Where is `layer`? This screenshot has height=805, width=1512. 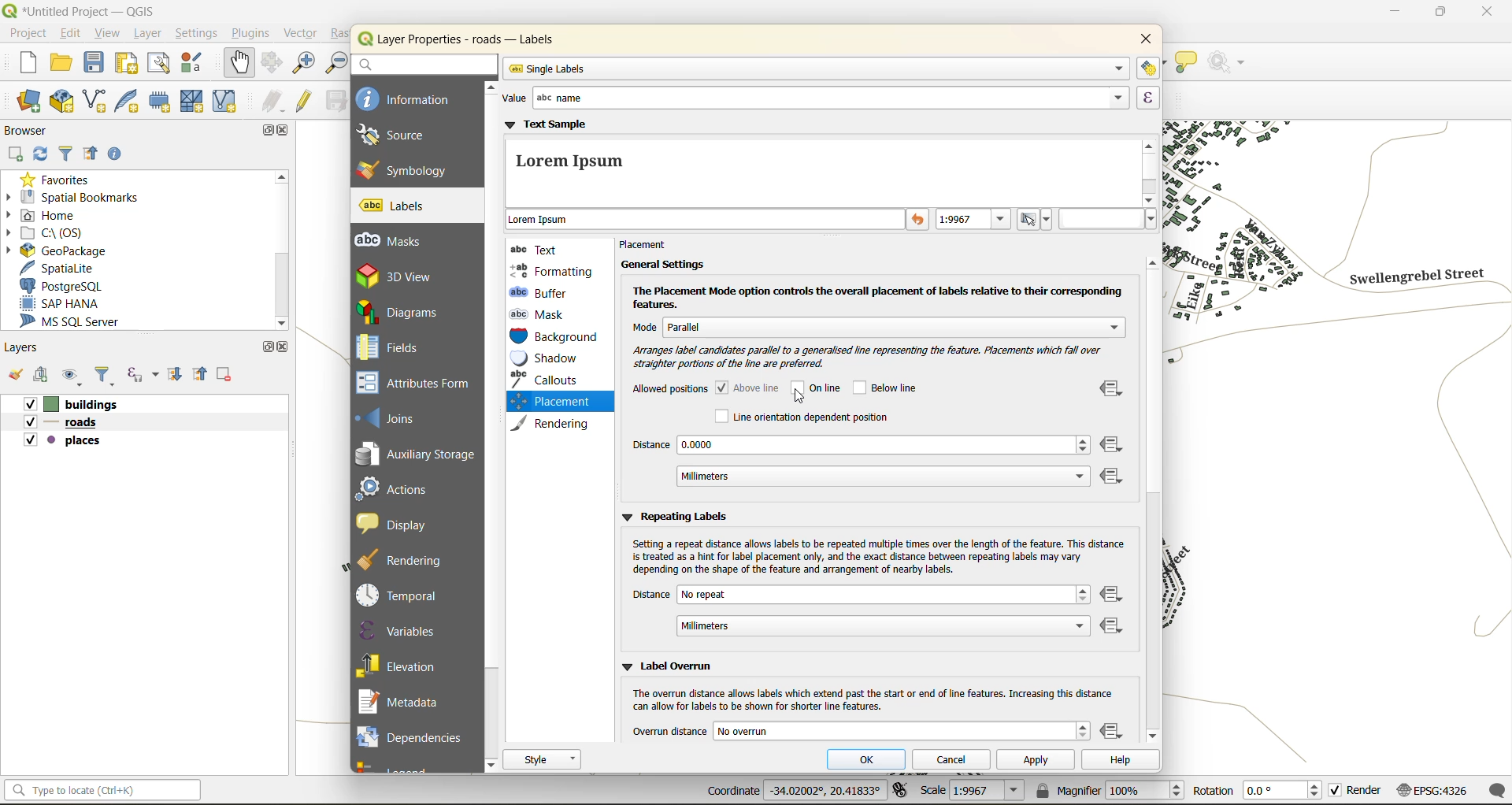 layer is located at coordinates (146, 35).